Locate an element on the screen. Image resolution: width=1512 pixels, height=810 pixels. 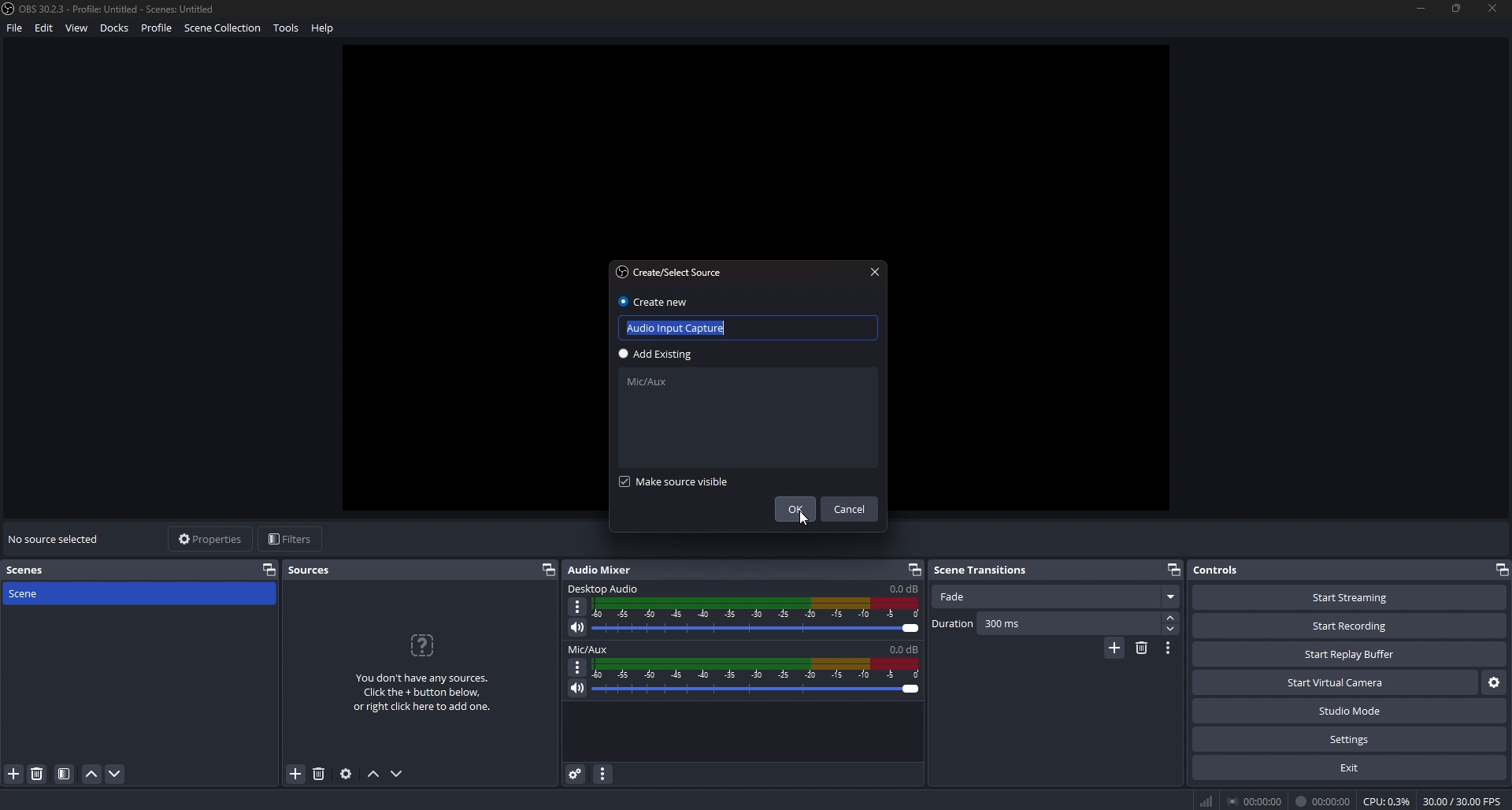
exit is located at coordinates (1349, 767).